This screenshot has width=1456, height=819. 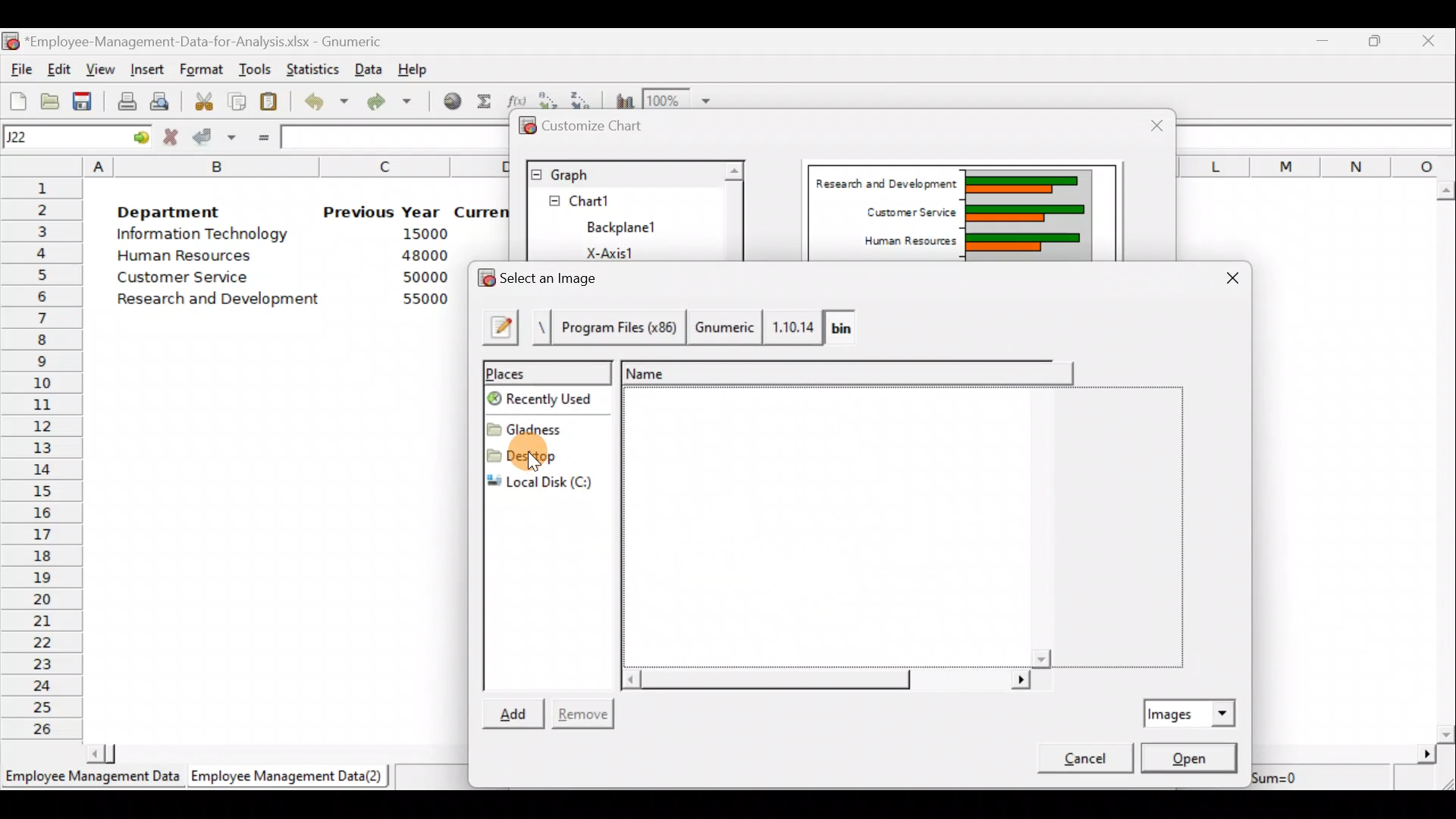 What do you see at coordinates (49, 99) in the screenshot?
I see `Open a file` at bounding box center [49, 99].